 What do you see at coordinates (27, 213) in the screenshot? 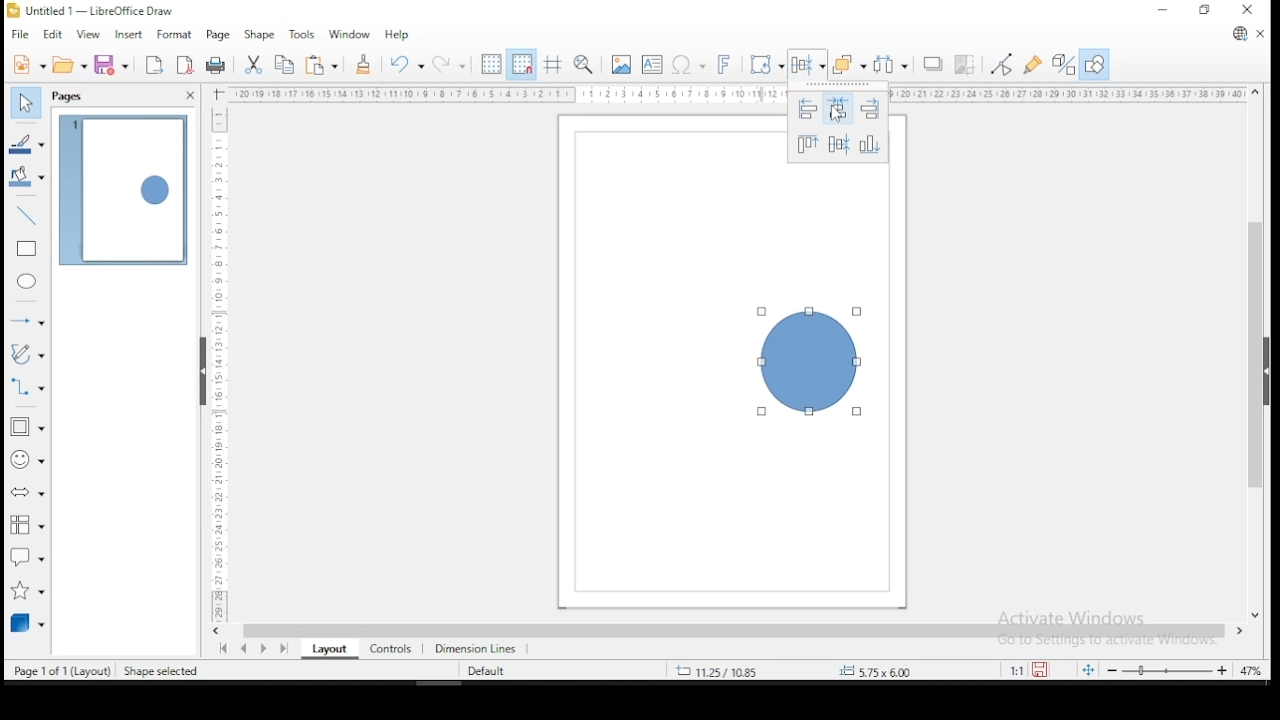
I see `insert line` at bounding box center [27, 213].